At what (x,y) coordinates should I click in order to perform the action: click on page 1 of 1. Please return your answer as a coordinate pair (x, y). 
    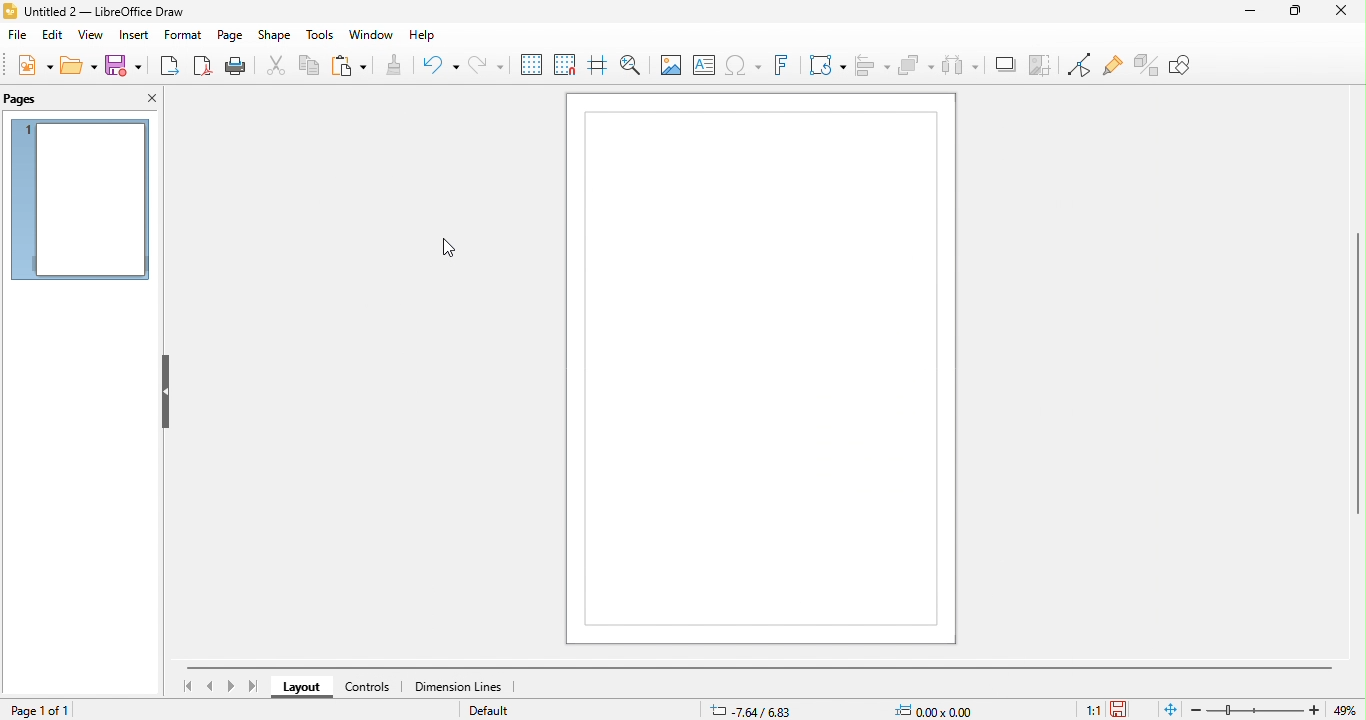
    Looking at the image, I should click on (44, 710).